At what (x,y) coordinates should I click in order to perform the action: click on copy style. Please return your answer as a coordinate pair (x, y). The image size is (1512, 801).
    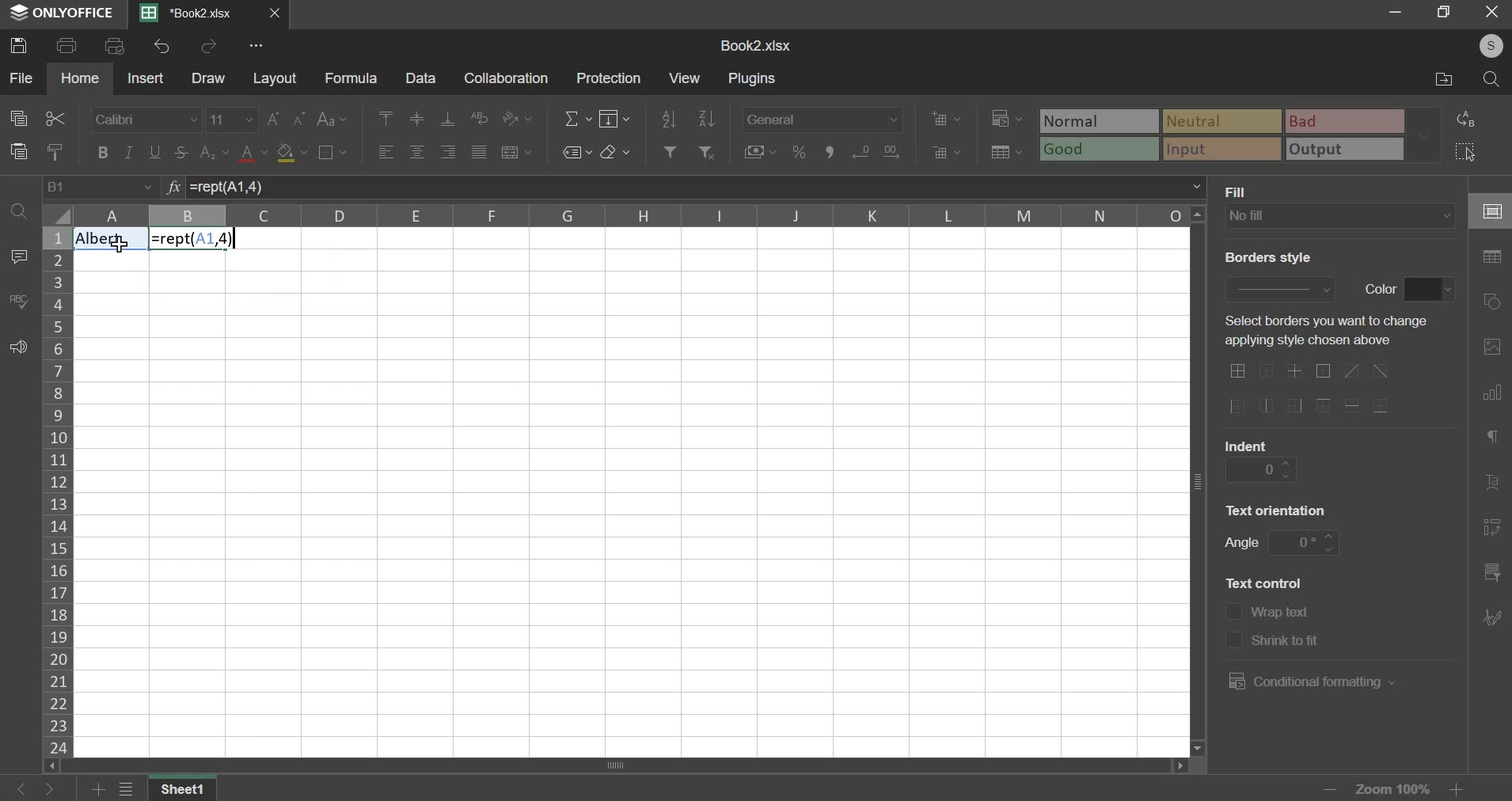
    Looking at the image, I should click on (54, 151).